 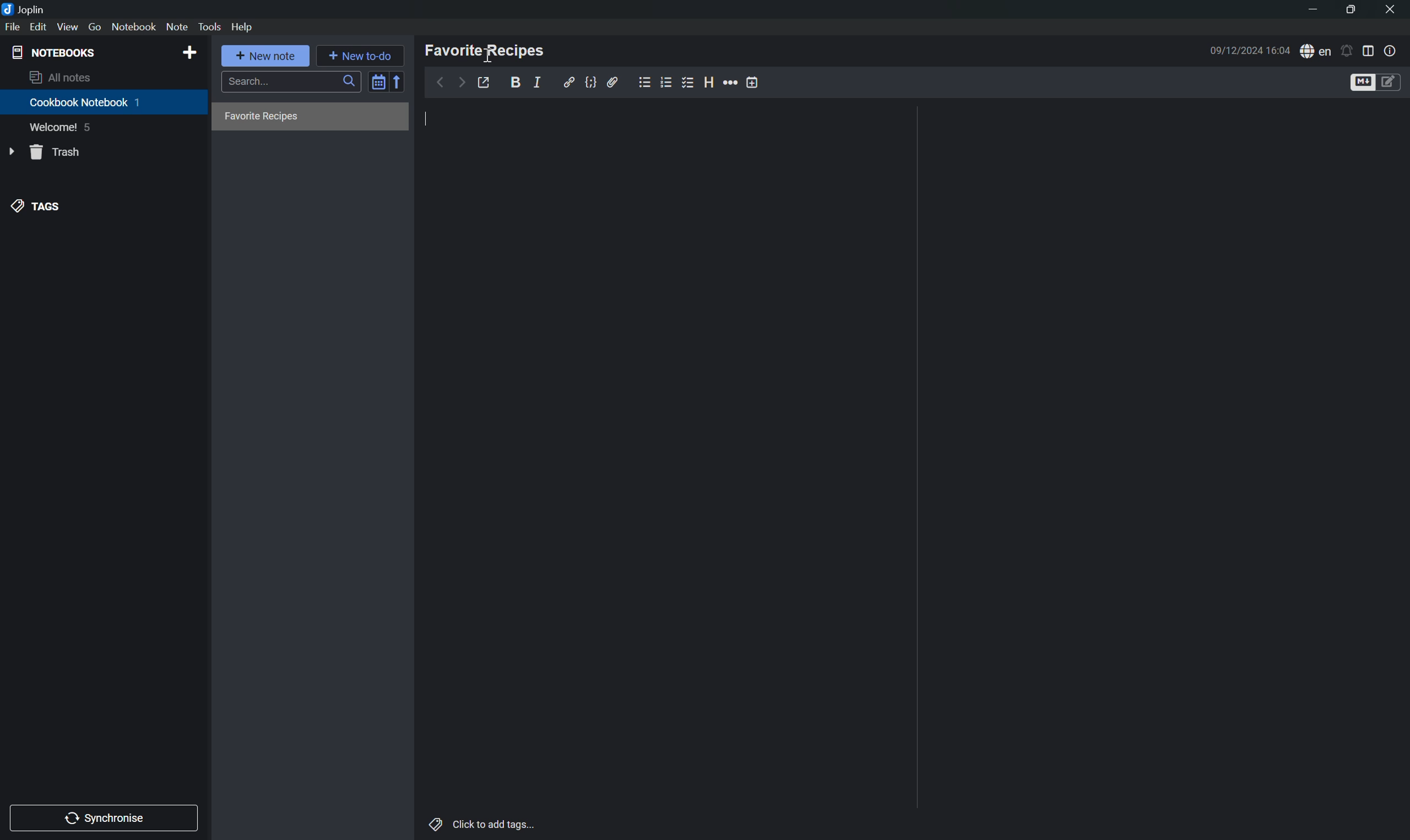 I want to click on New to-do, so click(x=359, y=54).